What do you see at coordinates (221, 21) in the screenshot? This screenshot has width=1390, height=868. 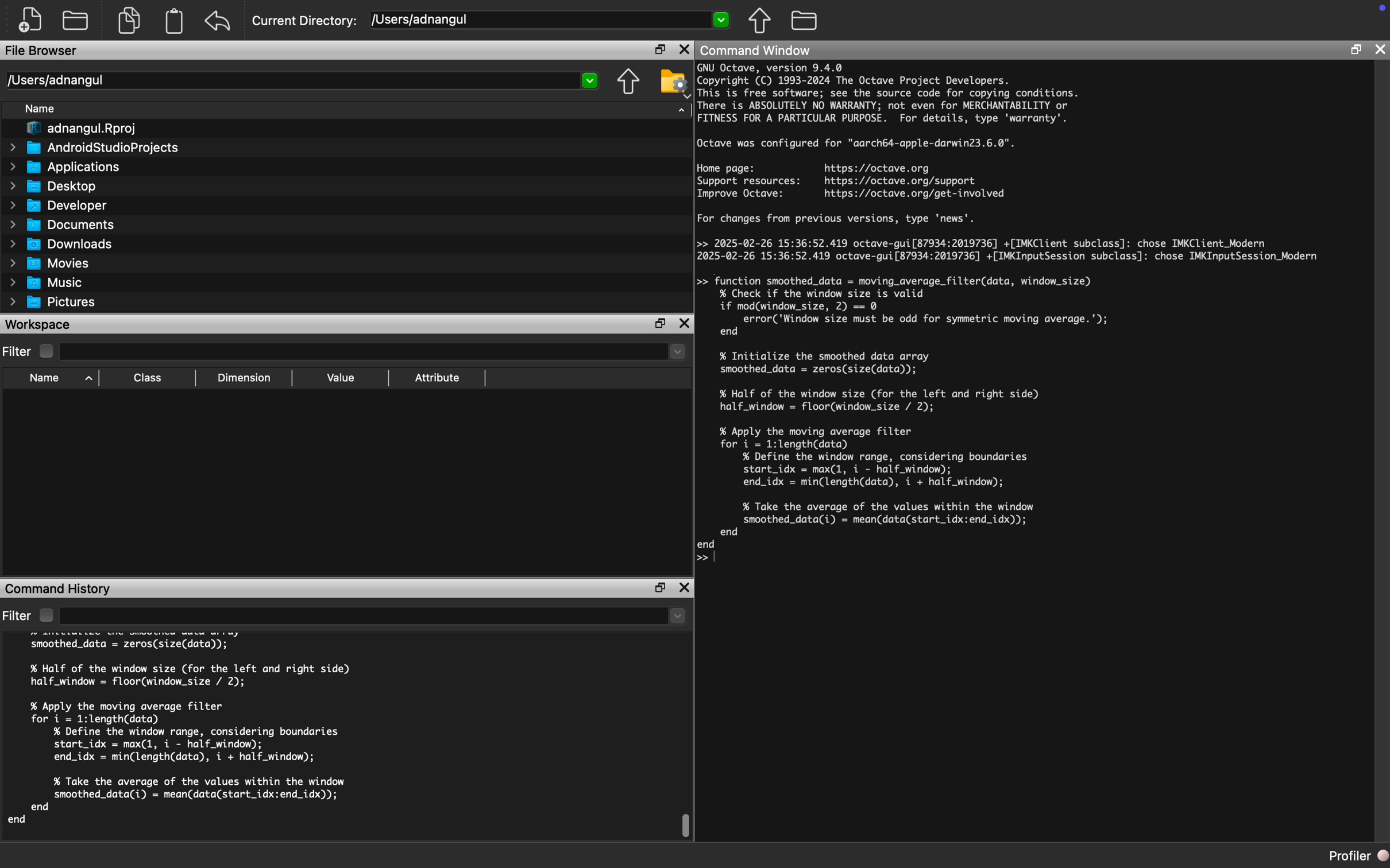 I see `Redo` at bounding box center [221, 21].